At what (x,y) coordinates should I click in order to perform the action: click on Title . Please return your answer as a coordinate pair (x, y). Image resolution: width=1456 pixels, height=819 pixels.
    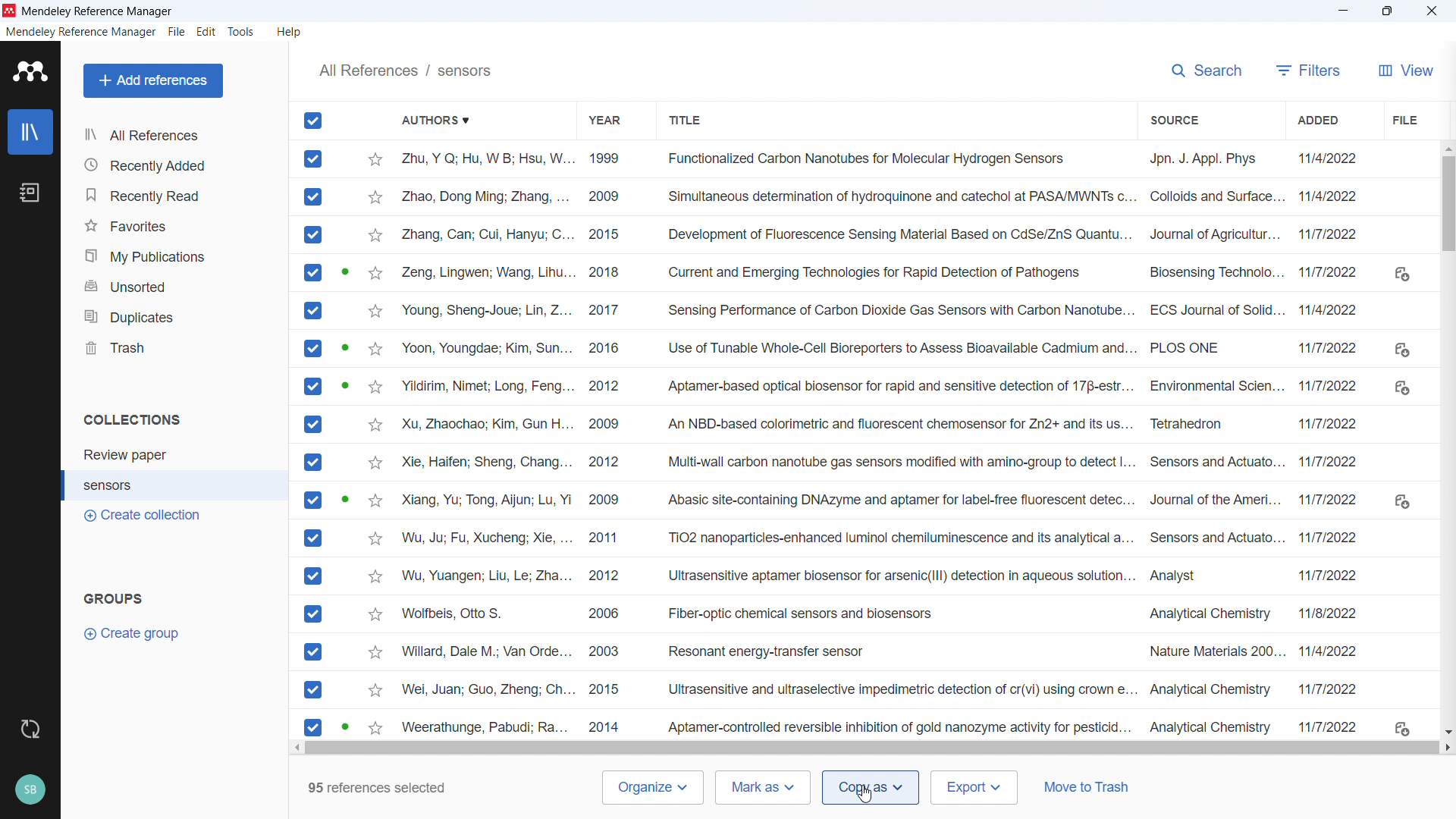
    Looking at the image, I should click on (99, 11).